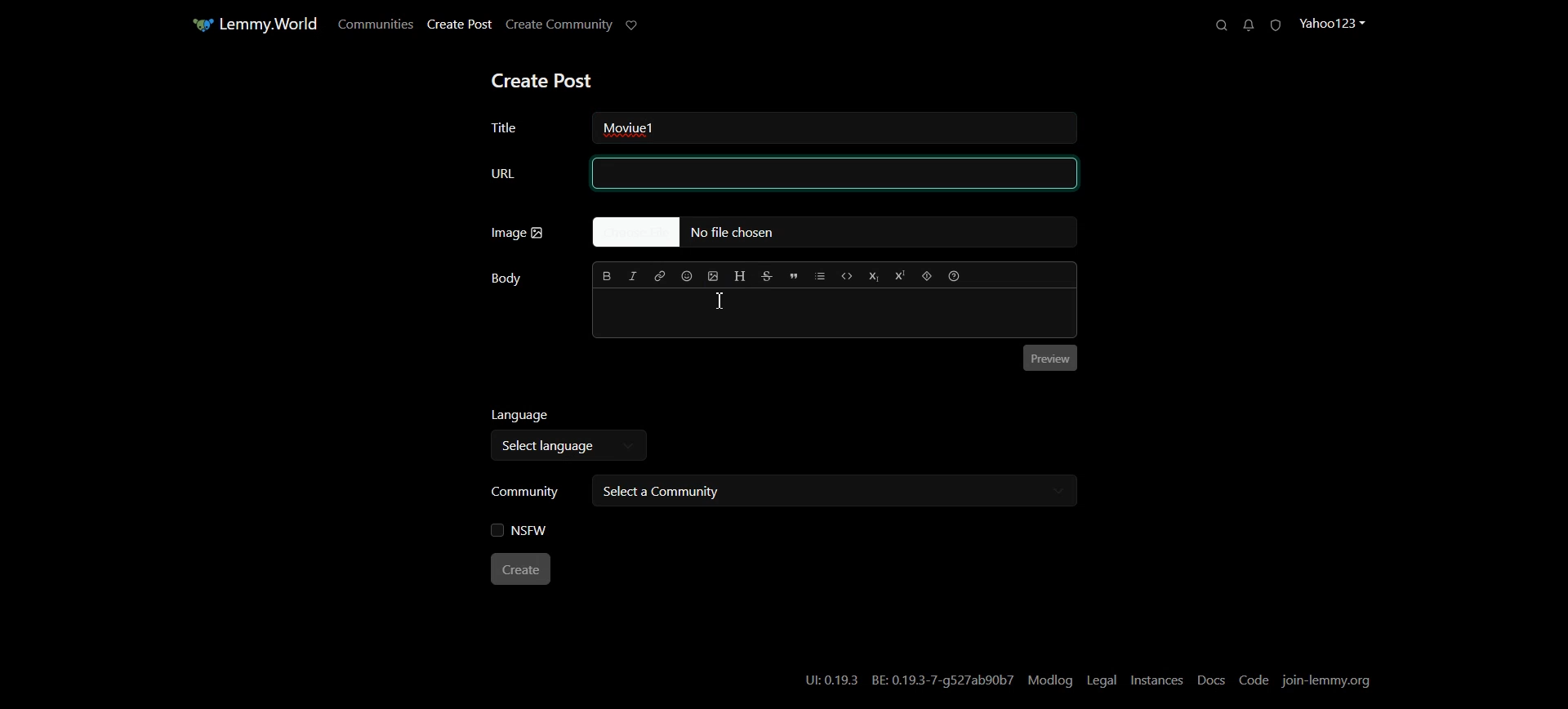 Image resolution: width=1568 pixels, height=709 pixels. Describe the element at coordinates (1329, 680) in the screenshot. I see `Join-lemmy.org` at that location.